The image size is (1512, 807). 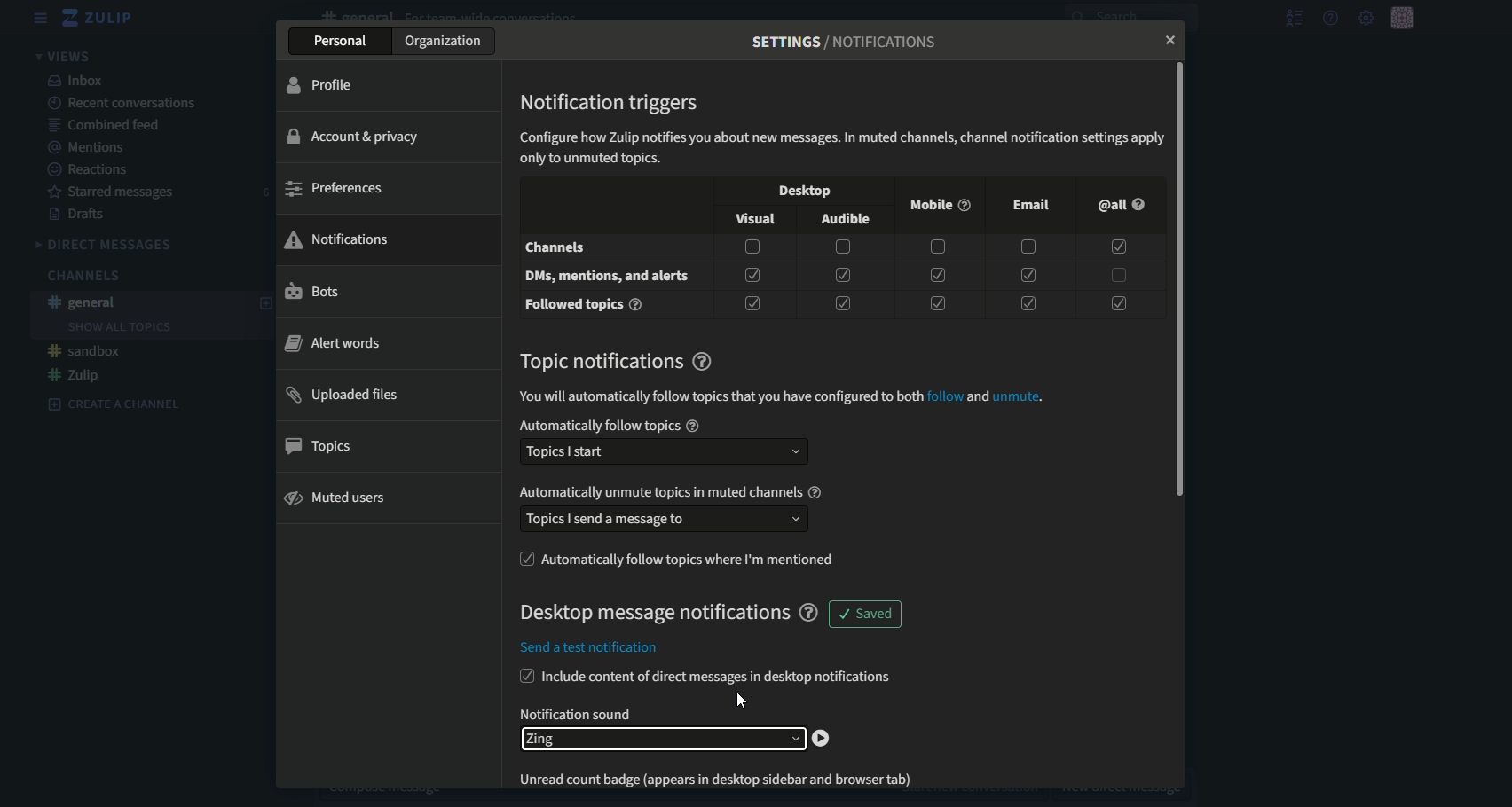 What do you see at coordinates (754, 274) in the screenshot?
I see `checkbox` at bounding box center [754, 274].